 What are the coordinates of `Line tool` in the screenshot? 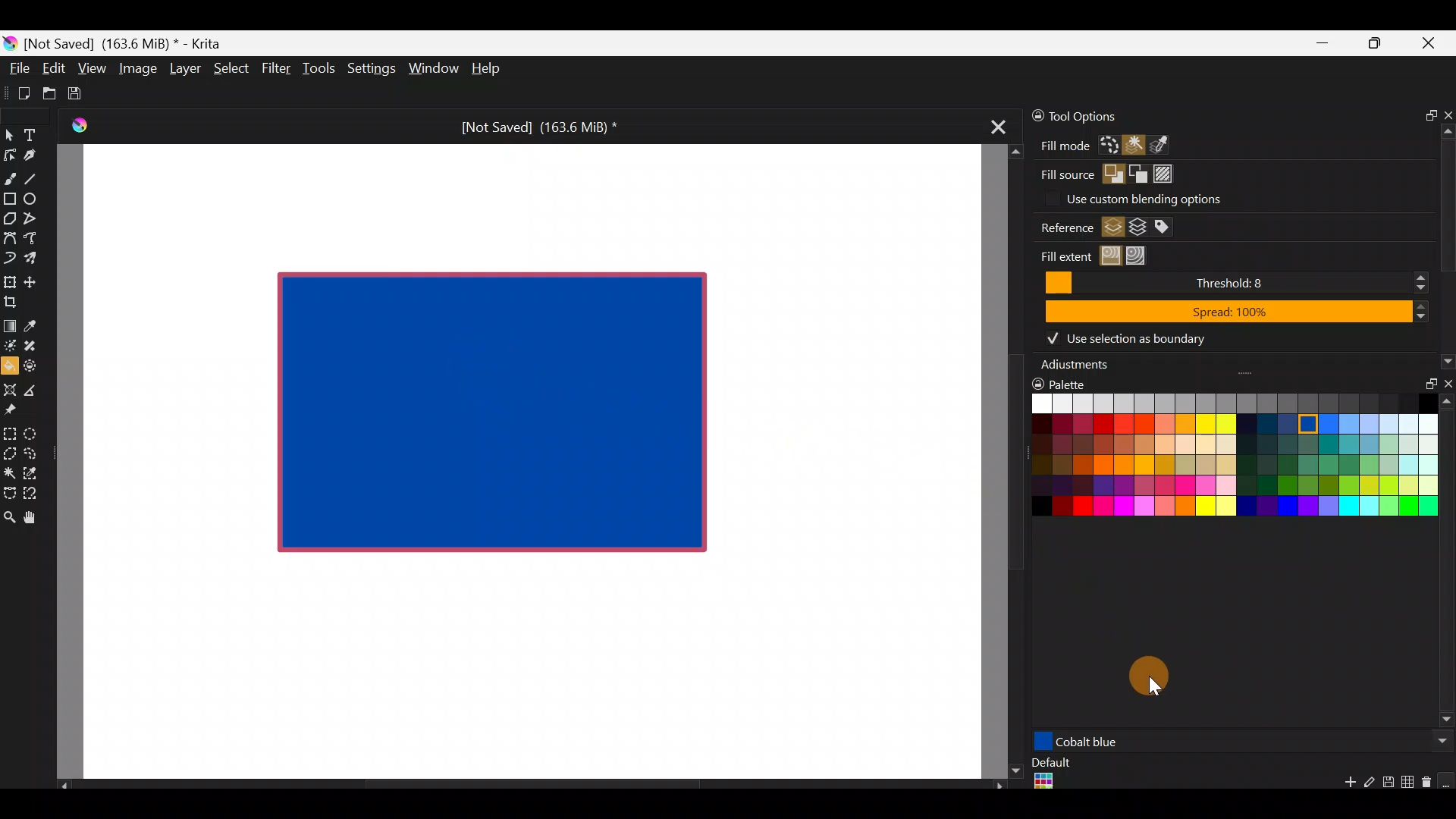 It's located at (36, 174).